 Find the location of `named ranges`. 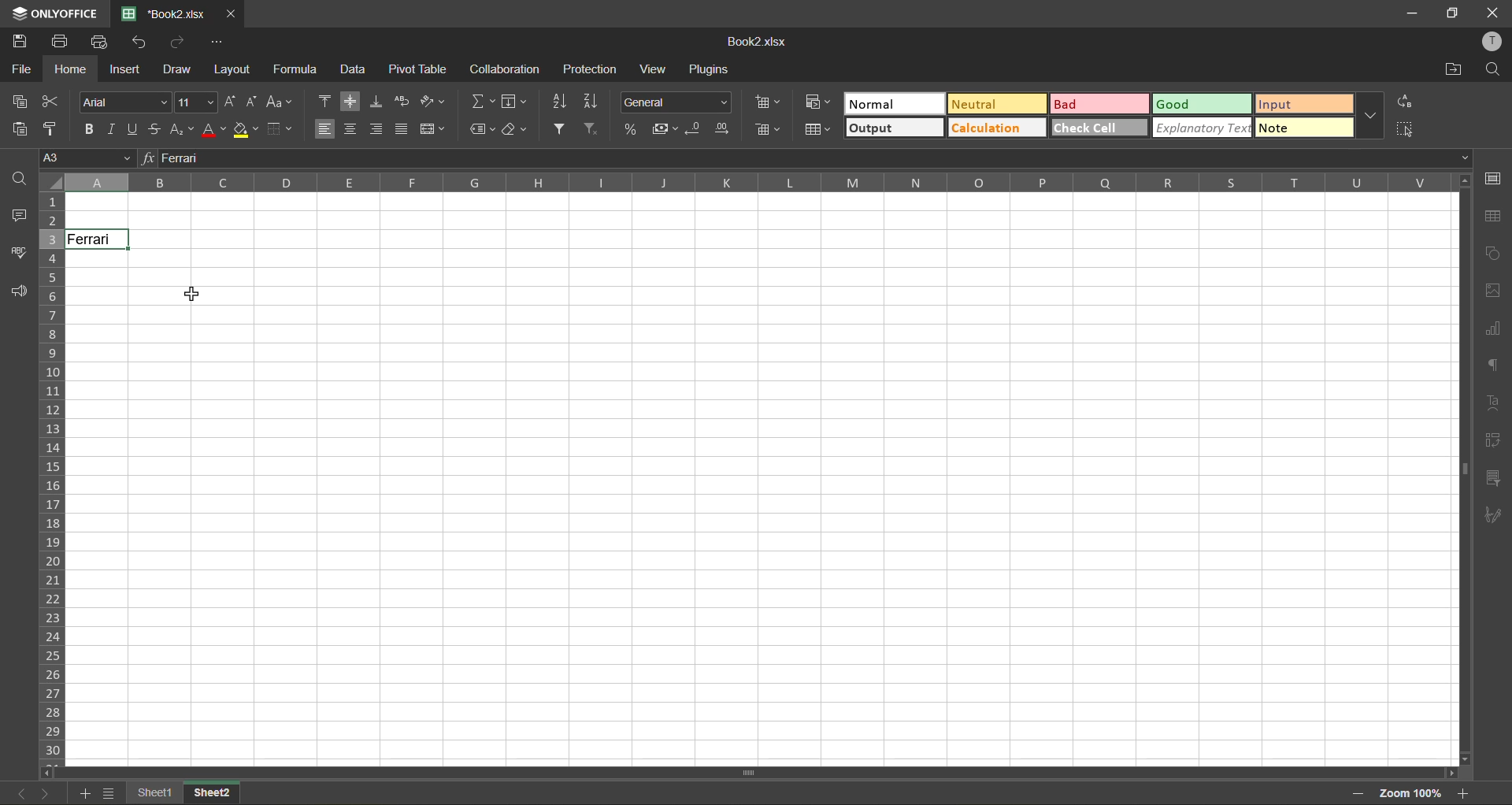

named ranges is located at coordinates (483, 130).